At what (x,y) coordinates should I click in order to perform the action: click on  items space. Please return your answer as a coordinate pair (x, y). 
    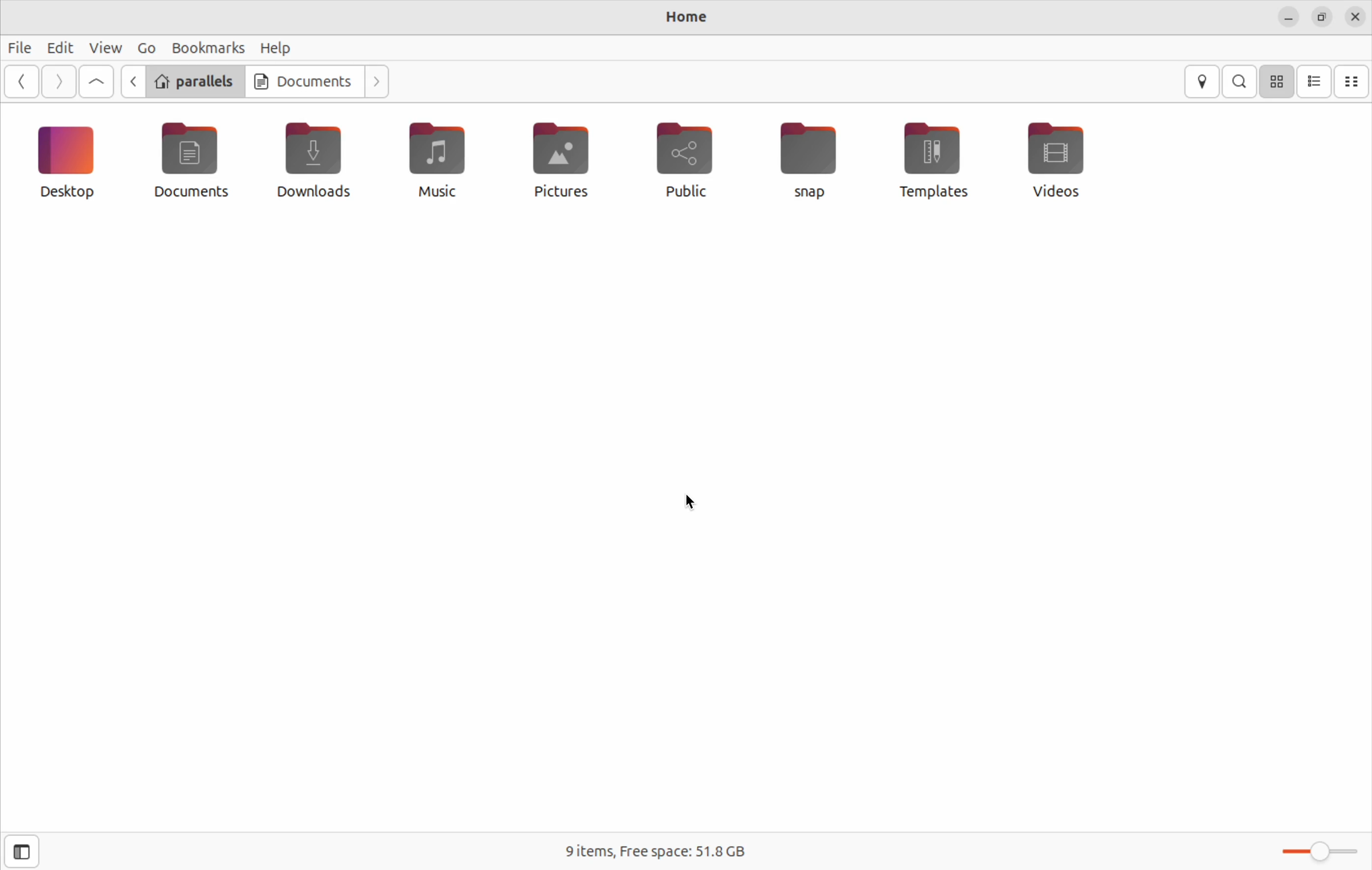
    Looking at the image, I should click on (652, 853).